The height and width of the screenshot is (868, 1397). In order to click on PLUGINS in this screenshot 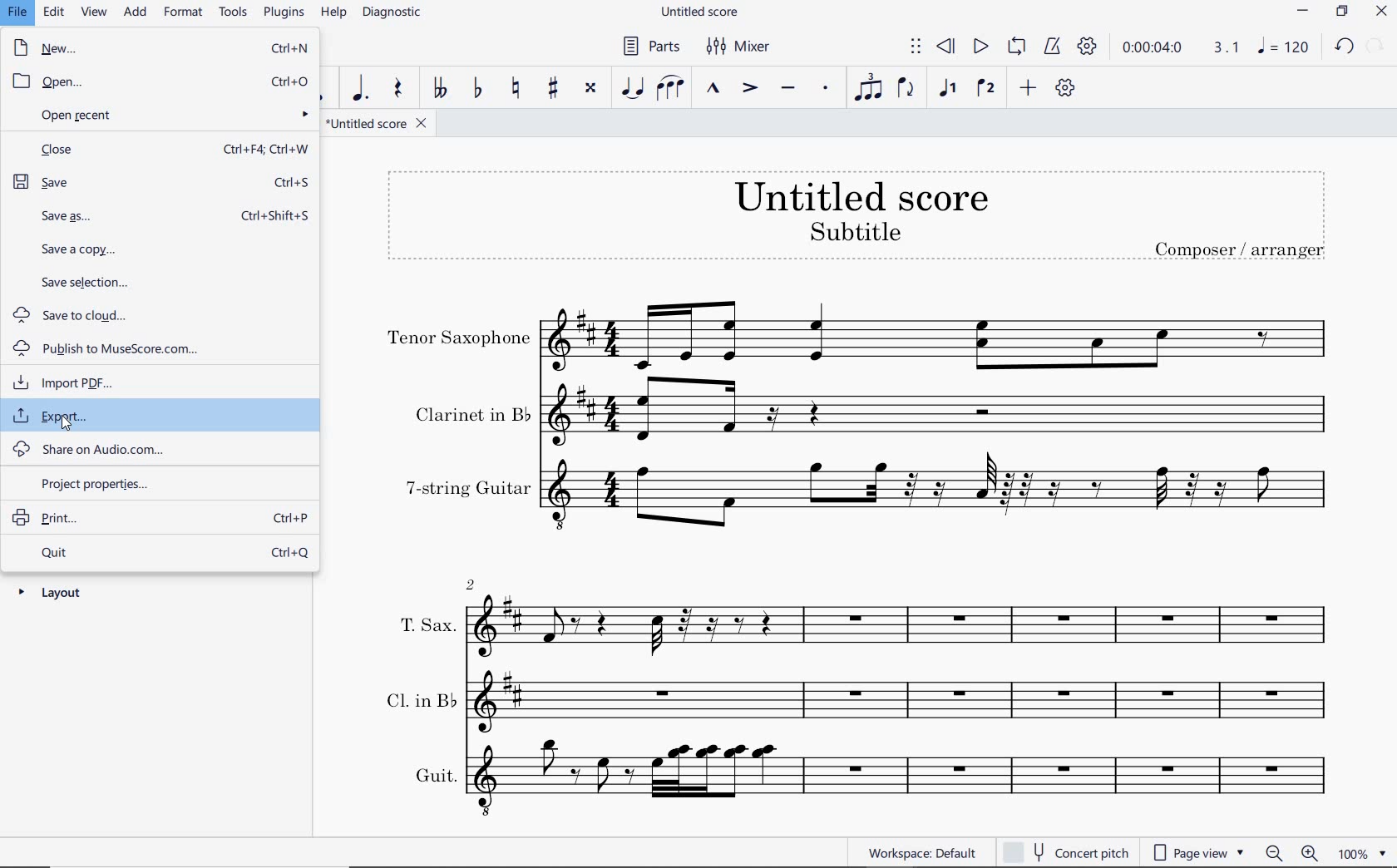, I will do `click(286, 16)`.